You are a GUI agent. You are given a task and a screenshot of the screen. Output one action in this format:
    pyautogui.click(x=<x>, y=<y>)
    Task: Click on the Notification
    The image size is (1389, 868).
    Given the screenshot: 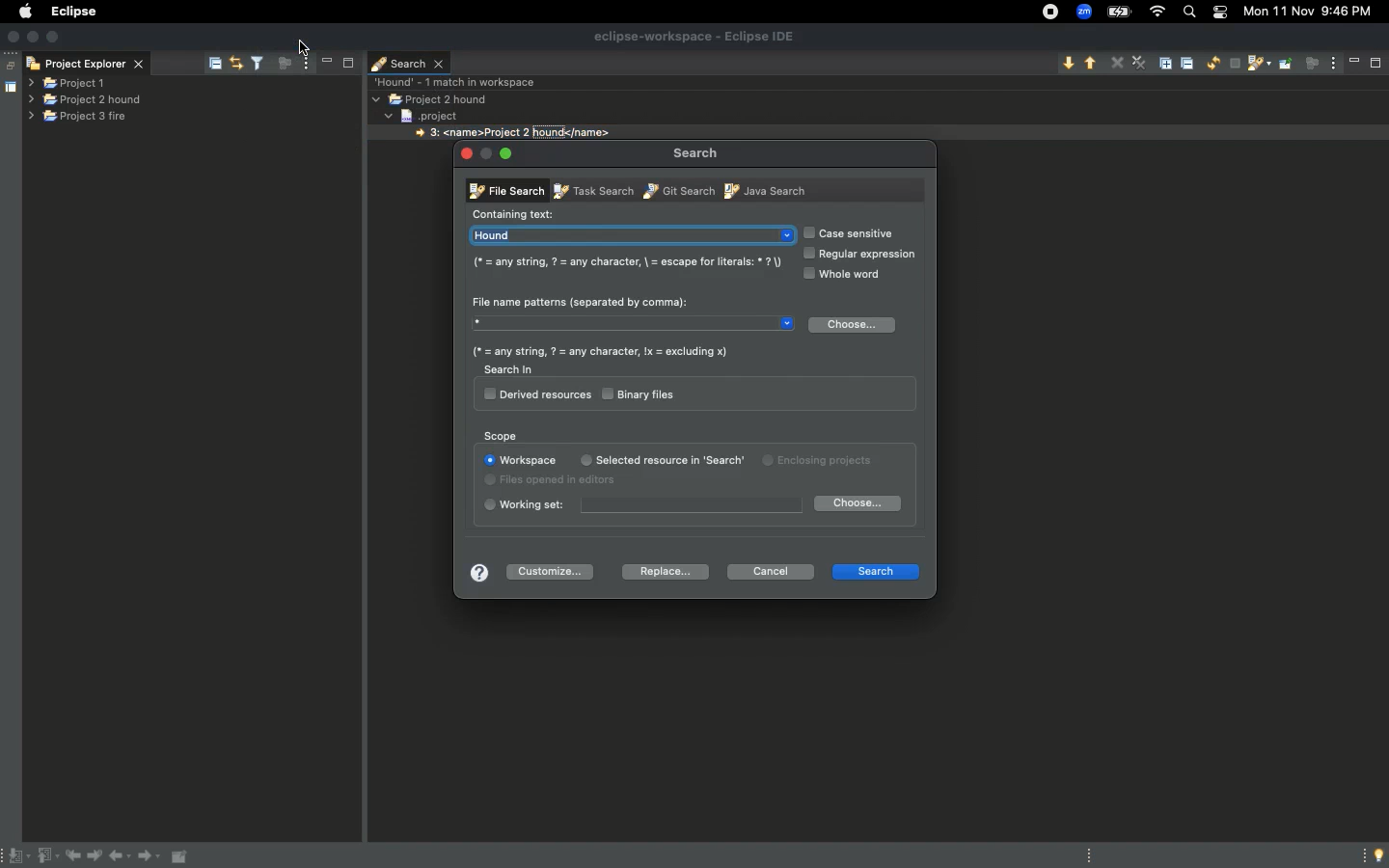 What is the action you would take?
    pyautogui.click(x=1218, y=14)
    